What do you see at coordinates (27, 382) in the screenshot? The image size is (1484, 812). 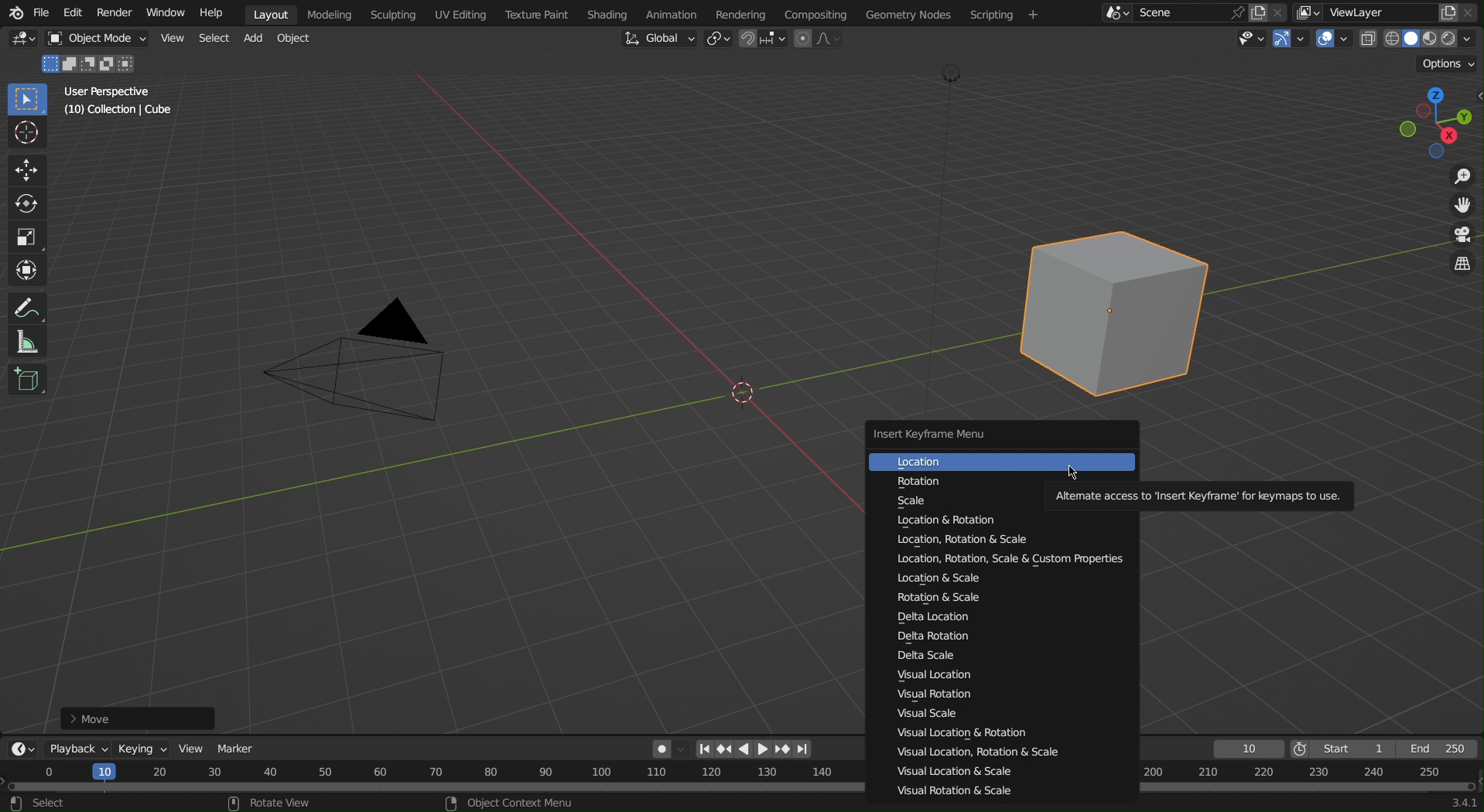 I see `Cube` at bounding box center [27, 382].